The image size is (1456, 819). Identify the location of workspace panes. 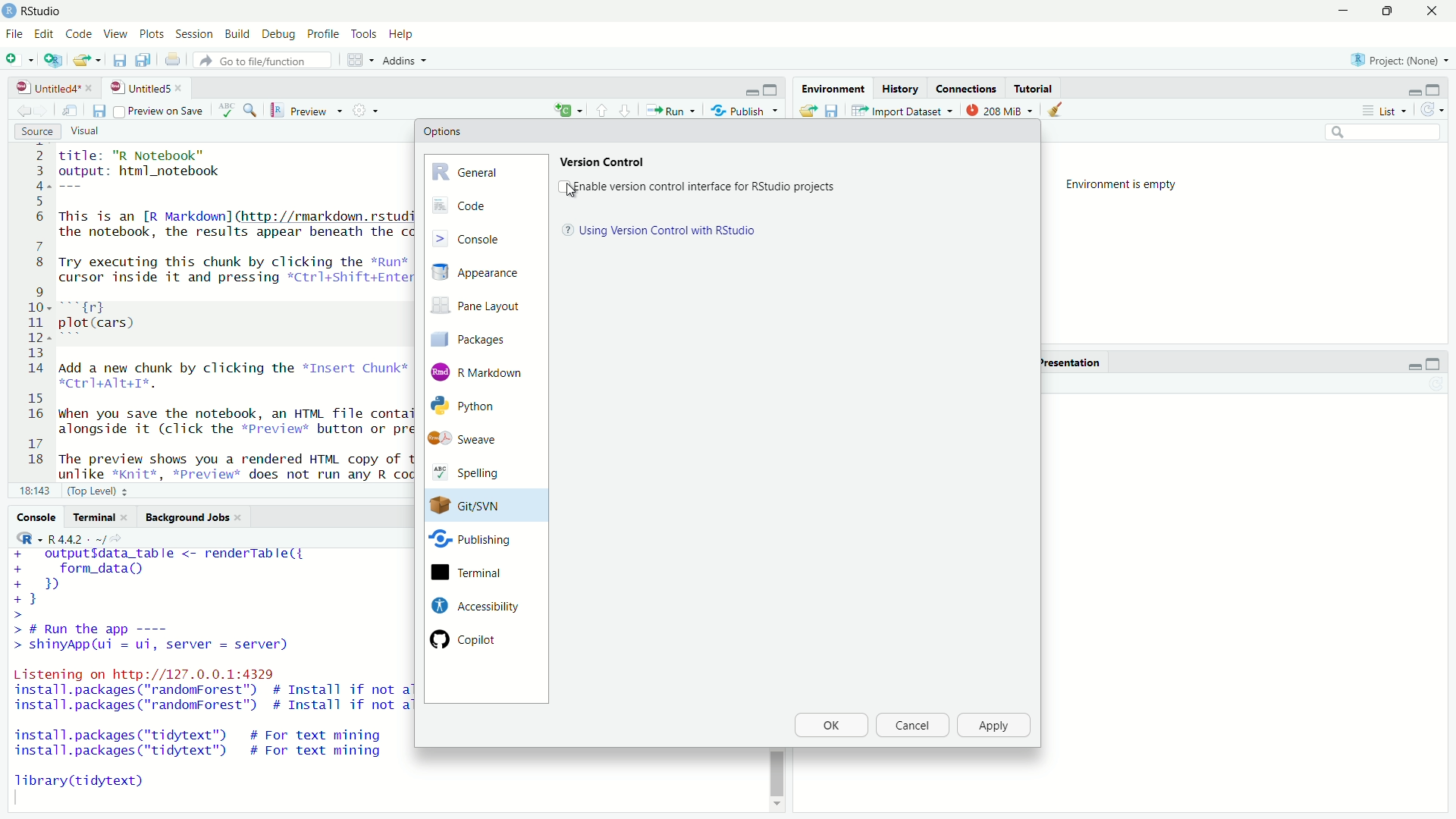
(362, 60).